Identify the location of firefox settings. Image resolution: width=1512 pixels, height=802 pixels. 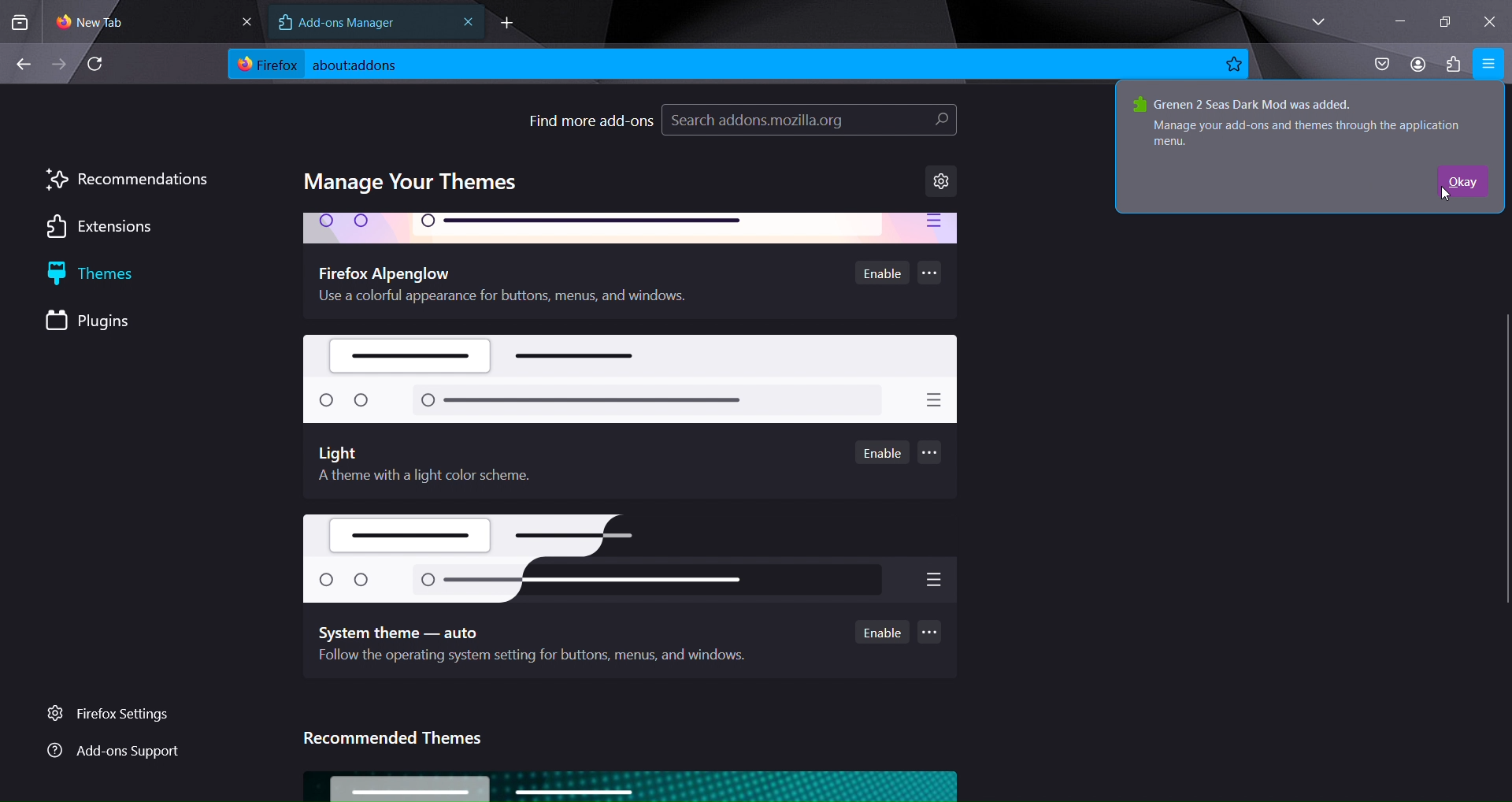
(120, 715).